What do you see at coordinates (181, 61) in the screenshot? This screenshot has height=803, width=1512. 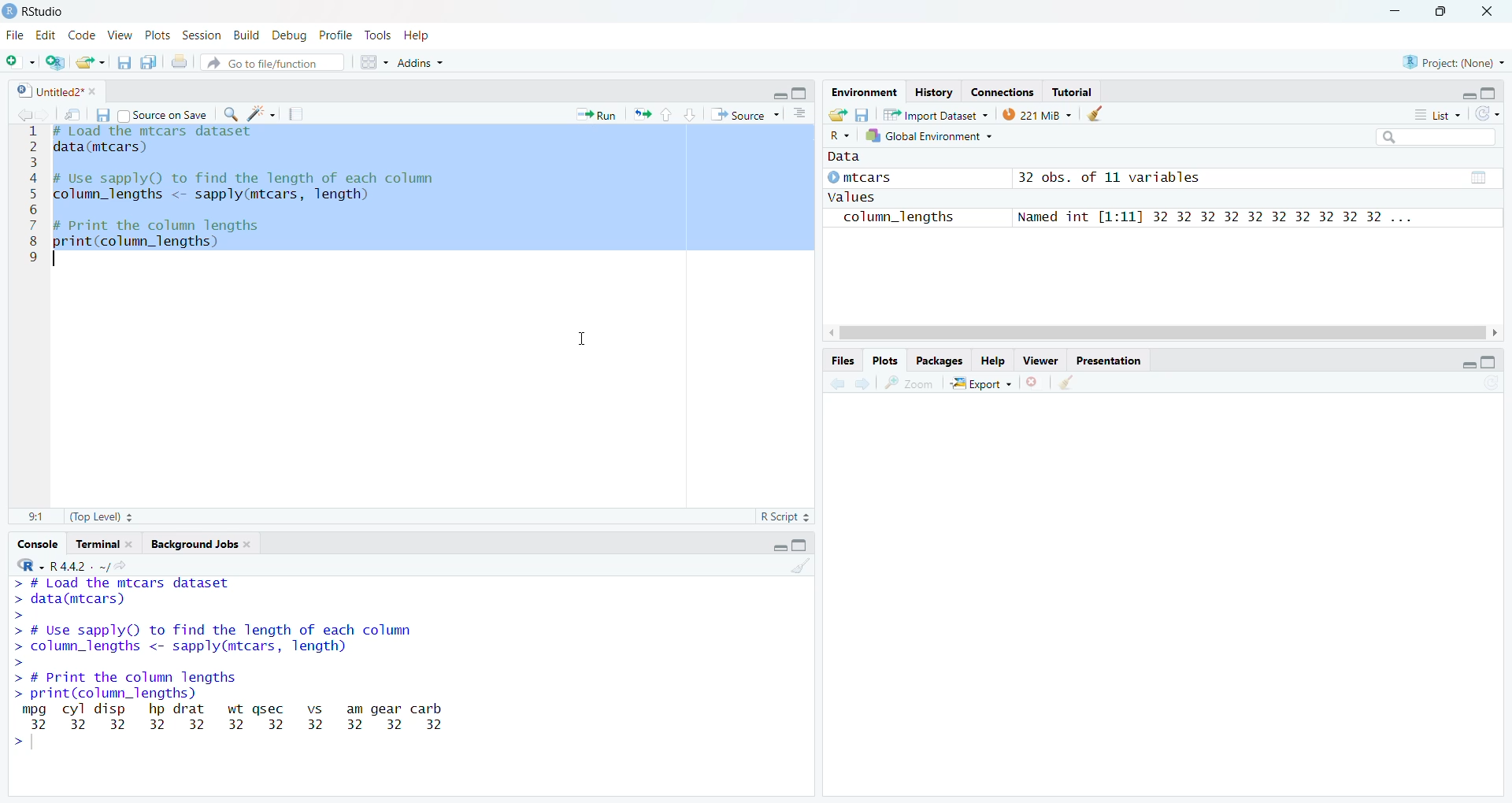 I see `Print` at bounding box center [181, 61].